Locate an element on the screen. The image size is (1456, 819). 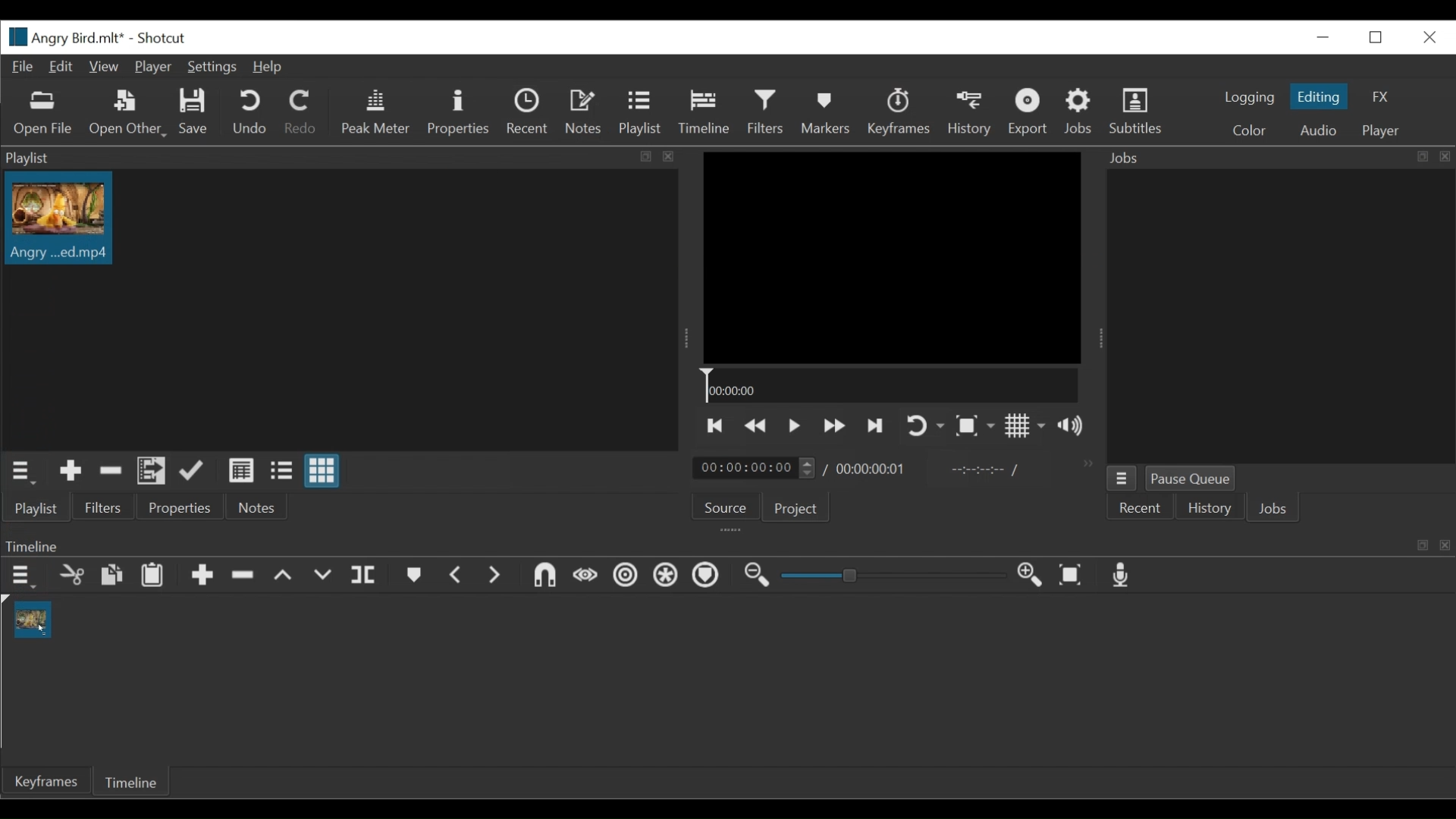
View is located at coordinates (103, 67).